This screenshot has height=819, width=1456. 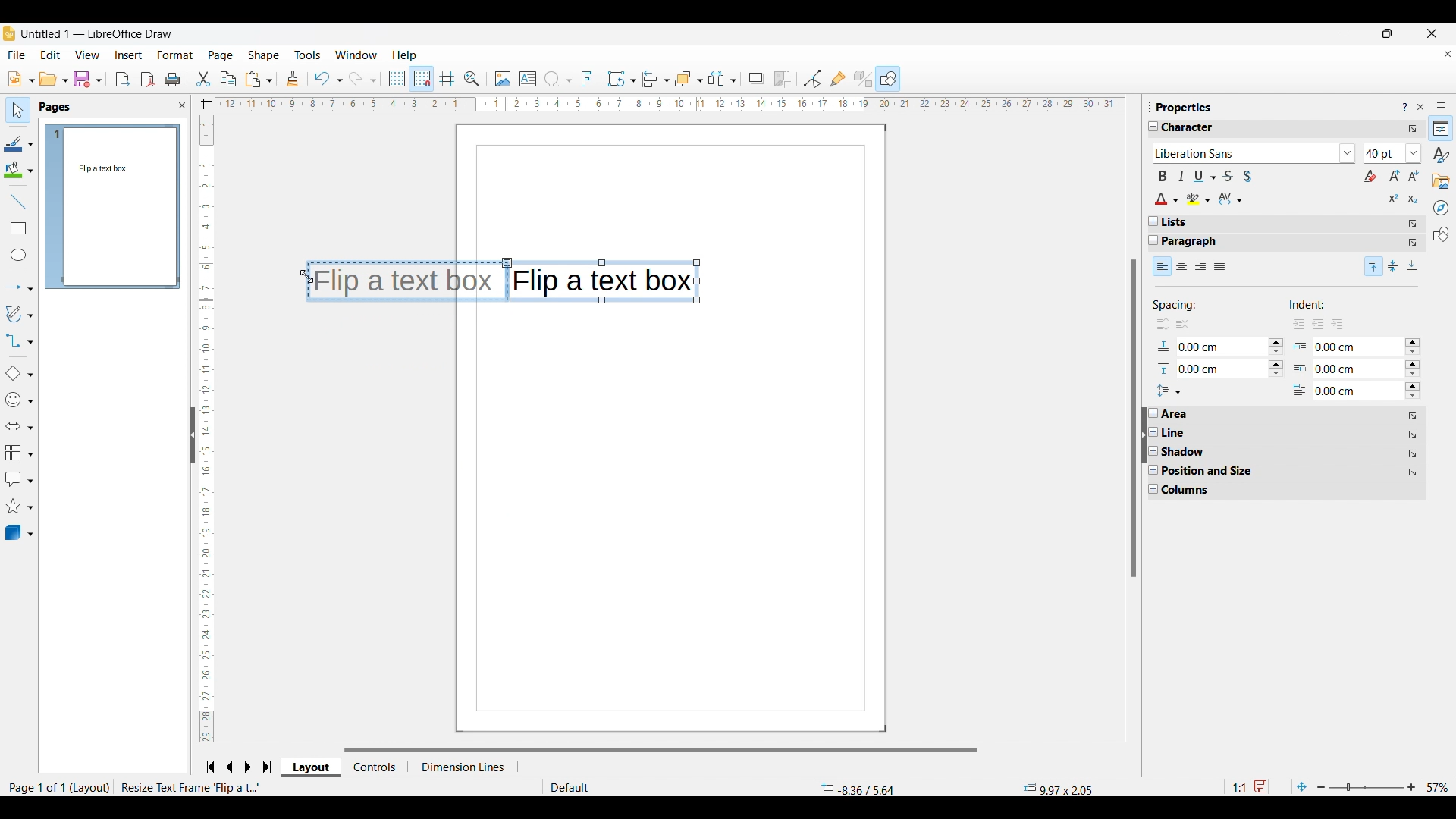 What do you see at coordinates (459, 768) in the screenshot?
I see `dimensions` at bounding box center [459, 768].